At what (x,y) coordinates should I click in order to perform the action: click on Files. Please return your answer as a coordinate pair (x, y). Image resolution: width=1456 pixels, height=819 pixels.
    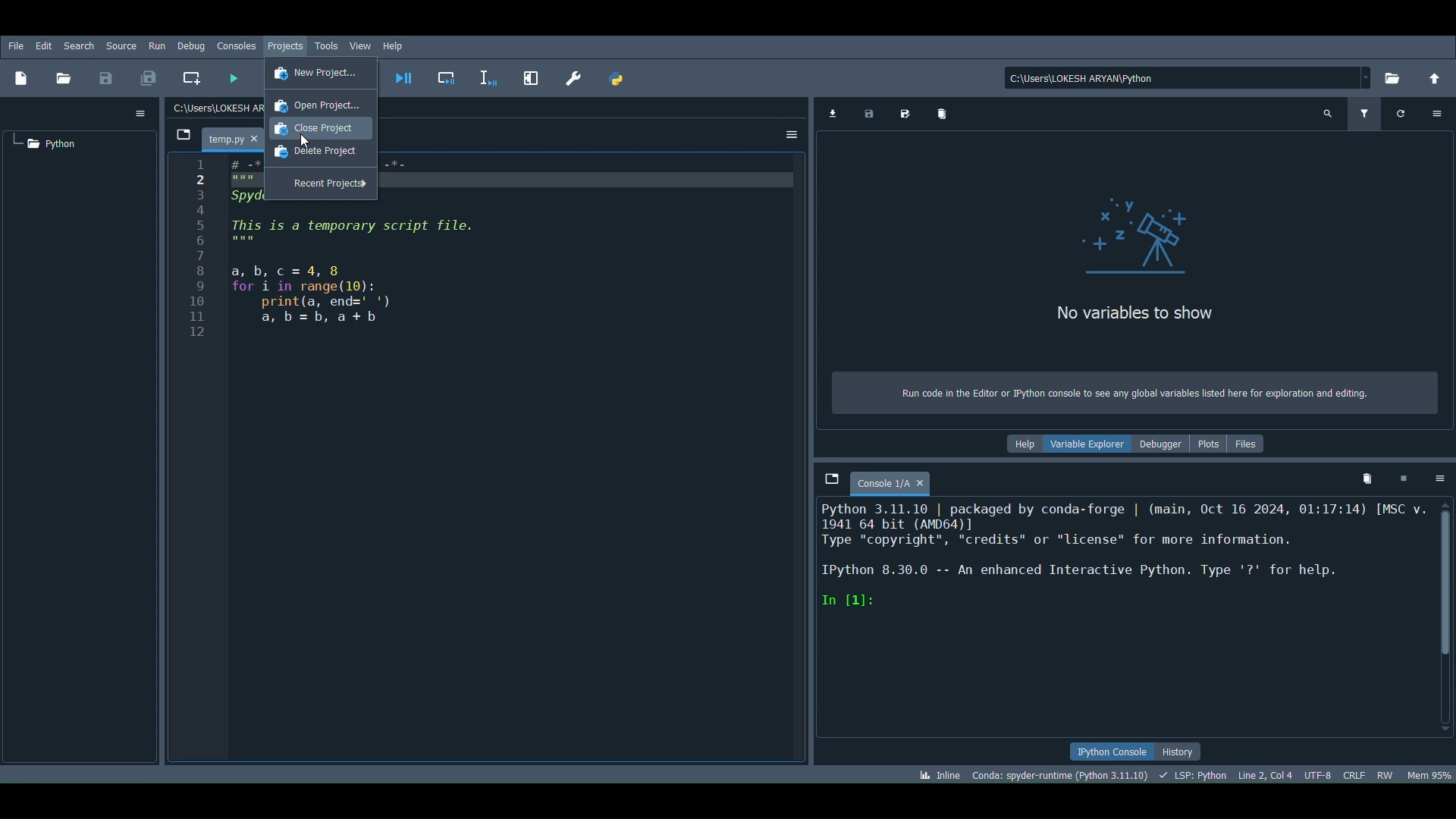
    Looking at the image, I should click on (1247, 444).